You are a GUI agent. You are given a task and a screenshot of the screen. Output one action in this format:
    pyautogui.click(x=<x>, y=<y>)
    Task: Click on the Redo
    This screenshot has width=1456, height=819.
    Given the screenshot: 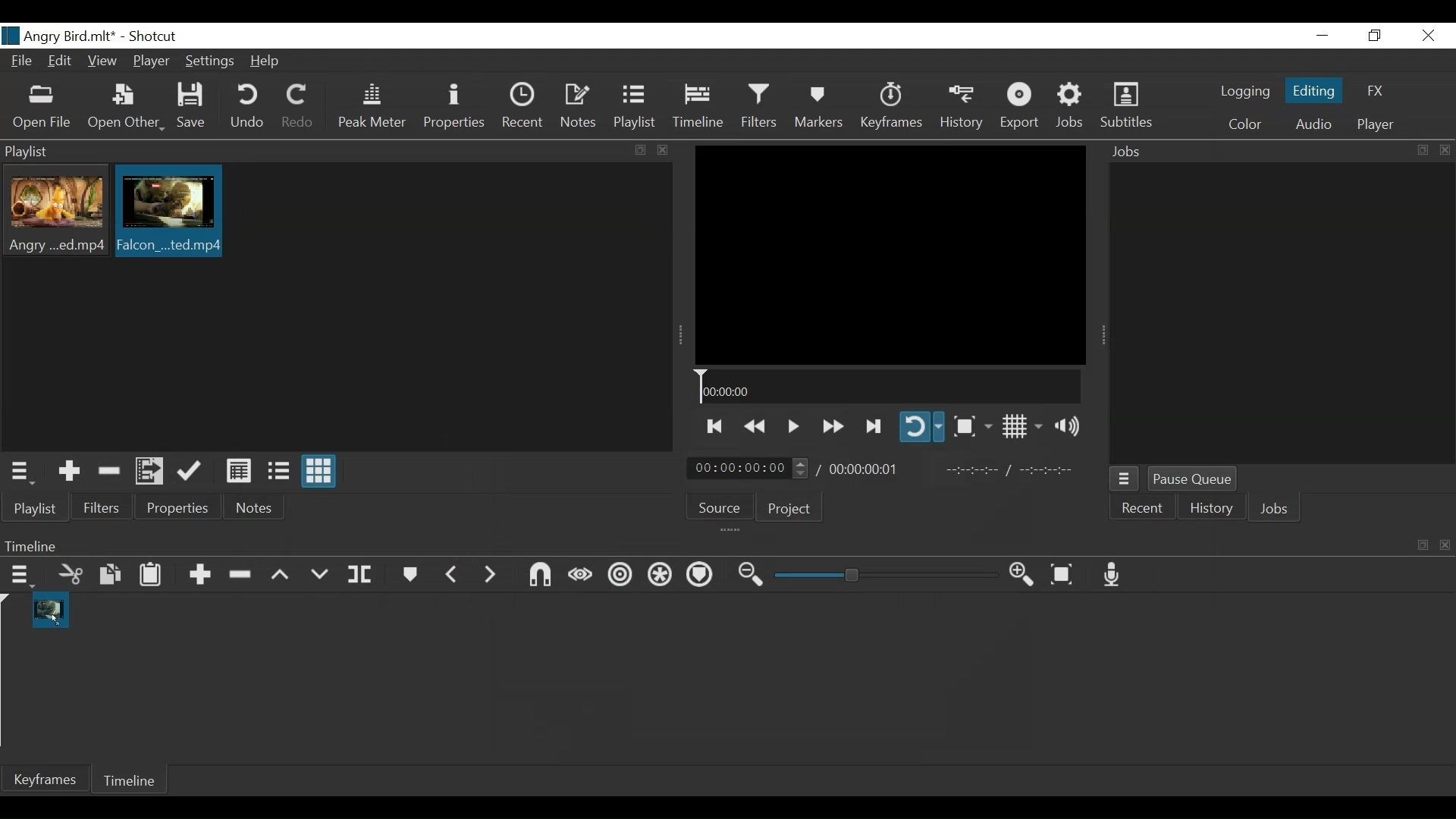 What is the action you would take?
    pyautogui.click(x=299, y=106)
    